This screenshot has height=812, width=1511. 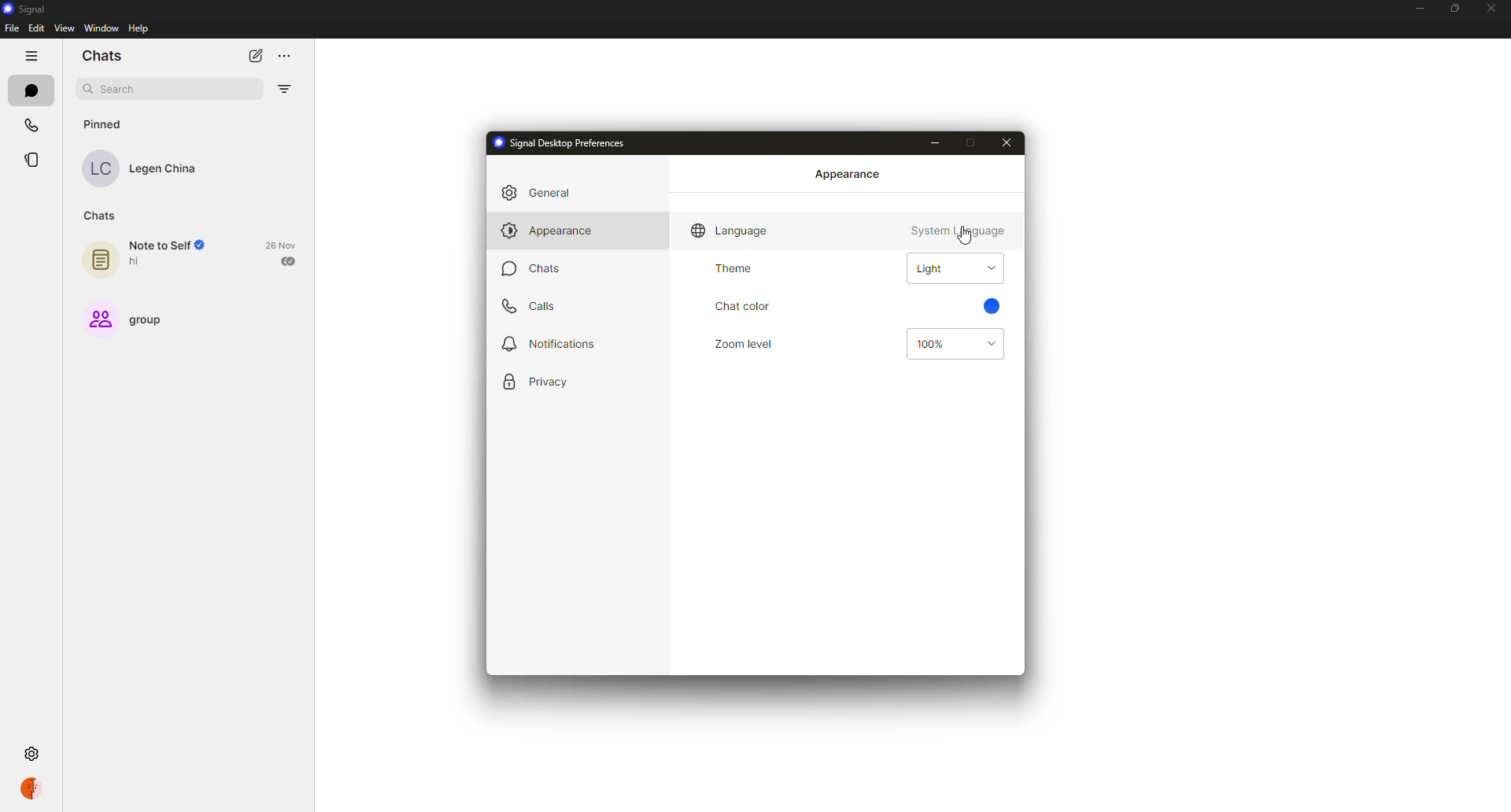 What do you see at coordinates (31, 55) in the screenshot?
I see `hide tabs` at bounding box center [31, 55].